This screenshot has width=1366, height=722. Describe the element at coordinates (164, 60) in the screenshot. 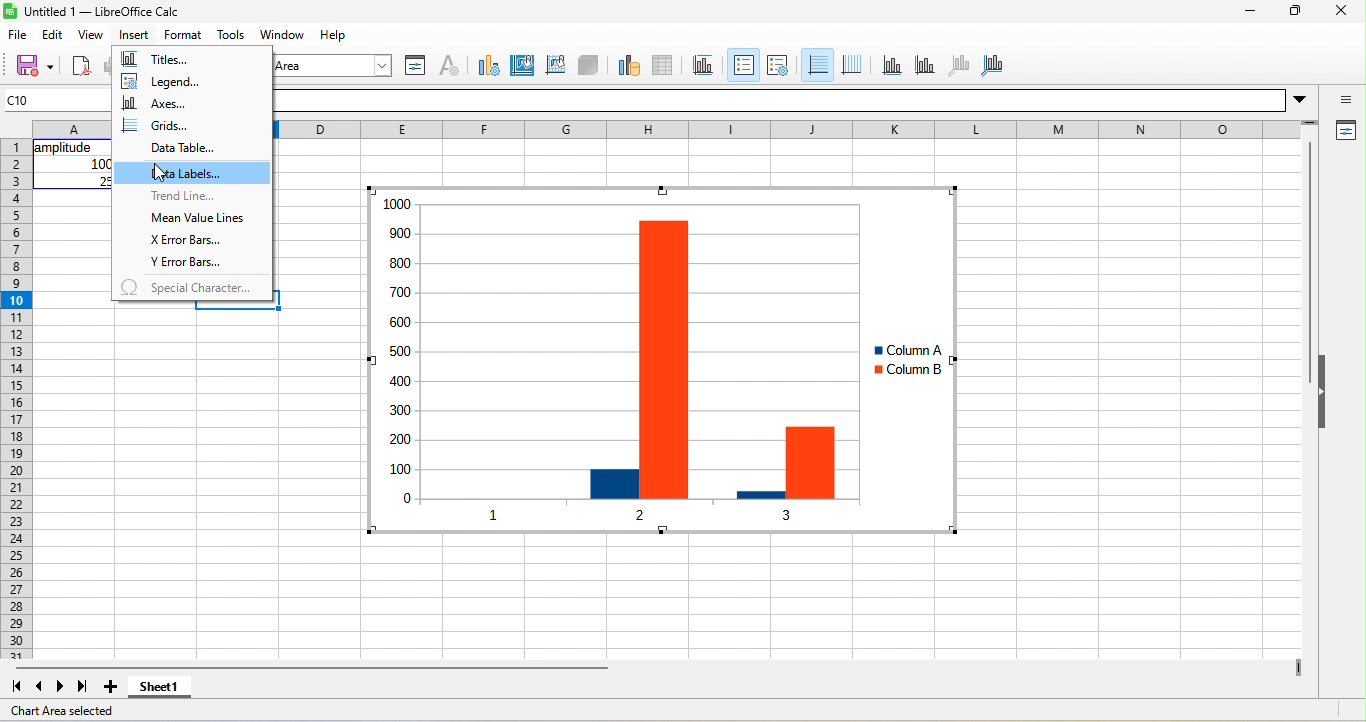

I see `titles` at that location.